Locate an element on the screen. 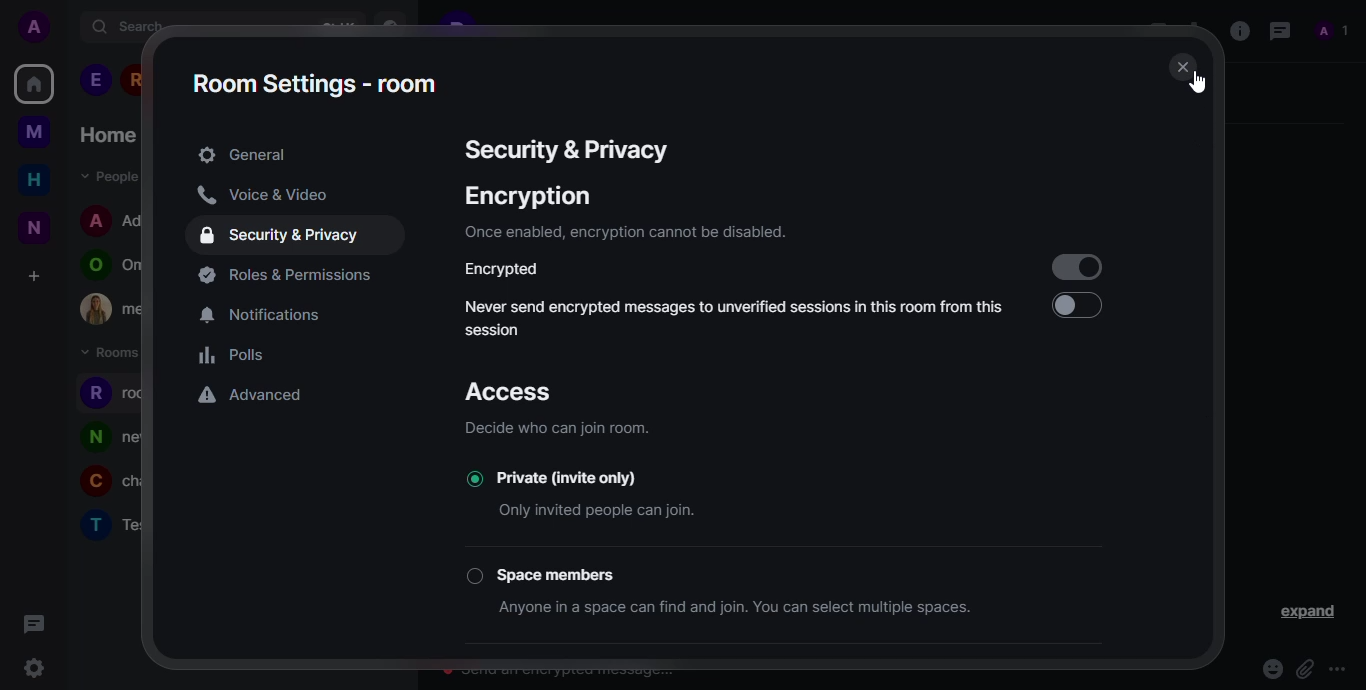 The height and width of the screenshot is (690, 1366). emoji is located at coordinates (1271, 667).